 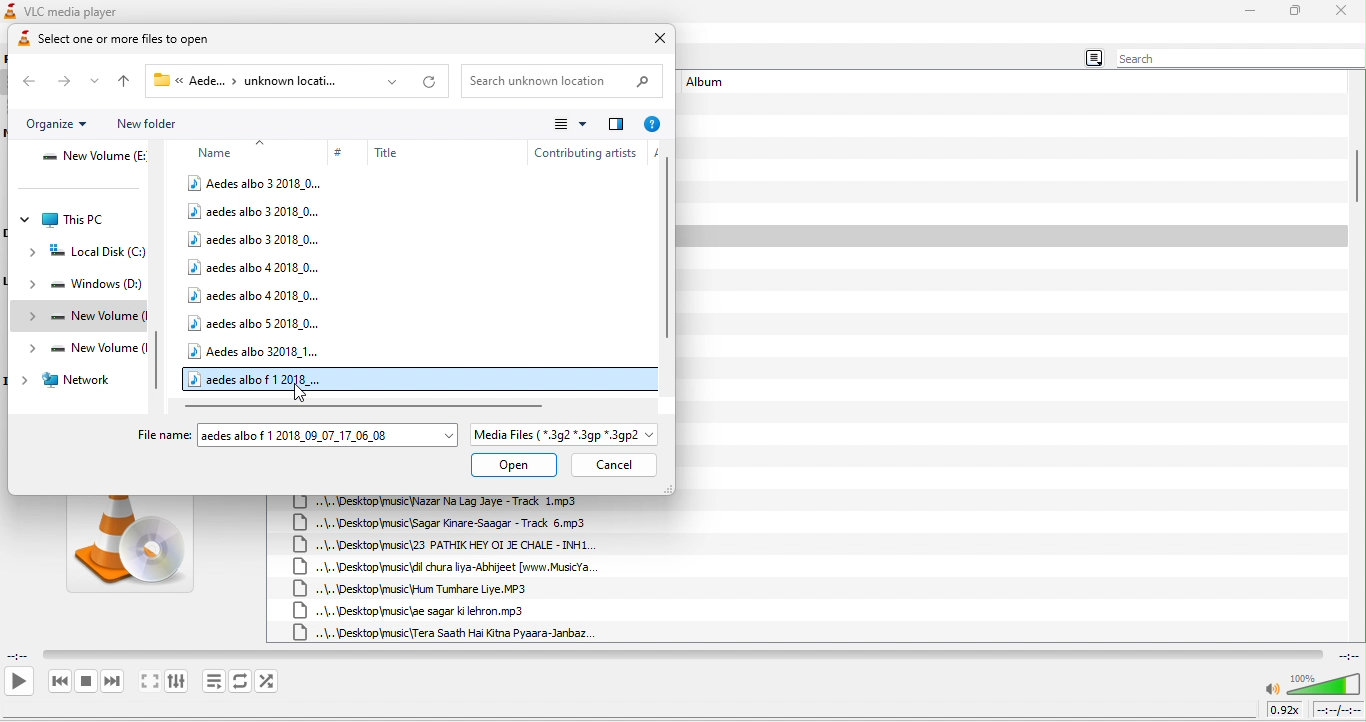 I want to click on vlc media image, so click(x=129, y=550).